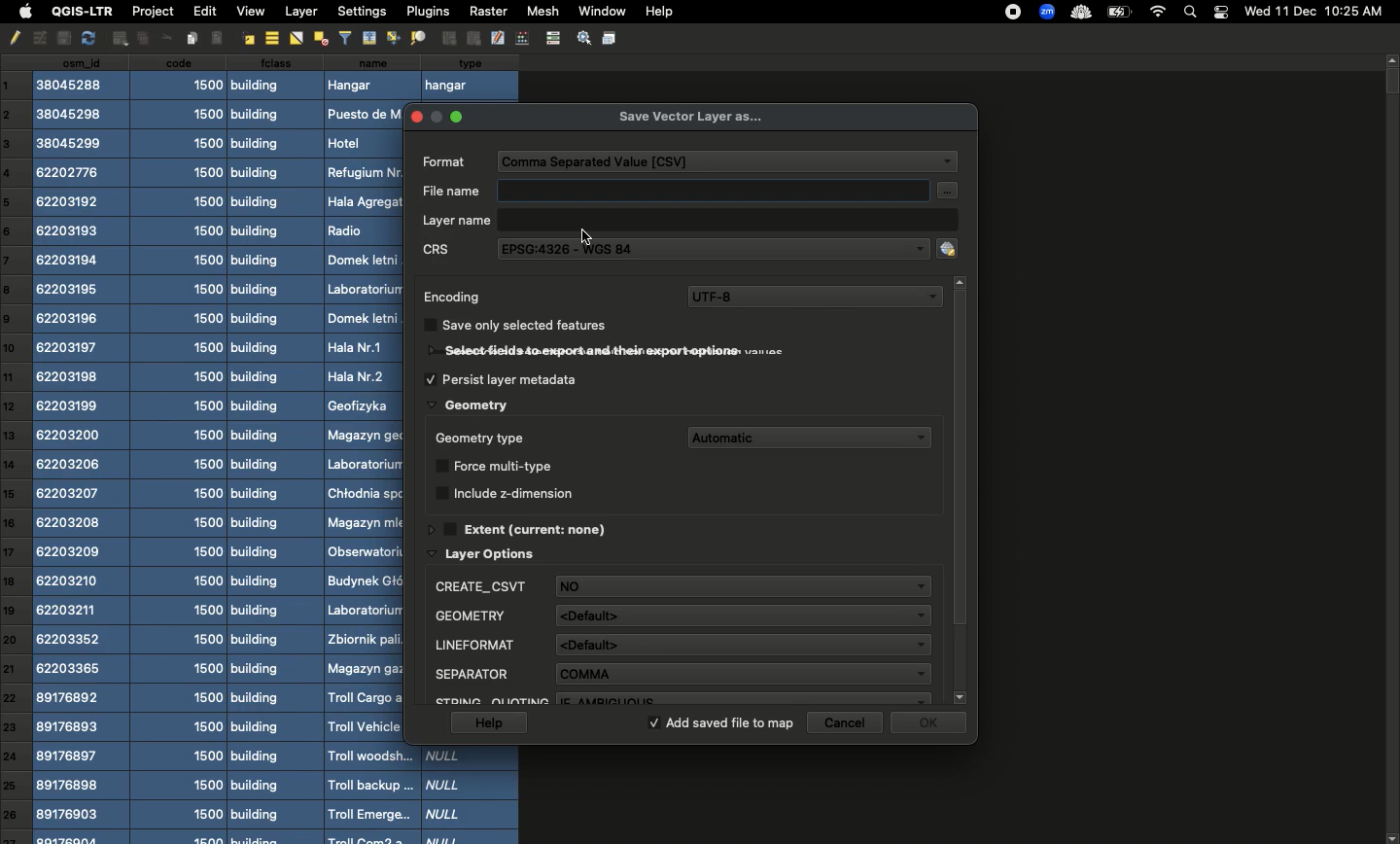 Image resolution: width=1400 pixels, height=844 pixels. I want to click on CRS, so click(447, 251).